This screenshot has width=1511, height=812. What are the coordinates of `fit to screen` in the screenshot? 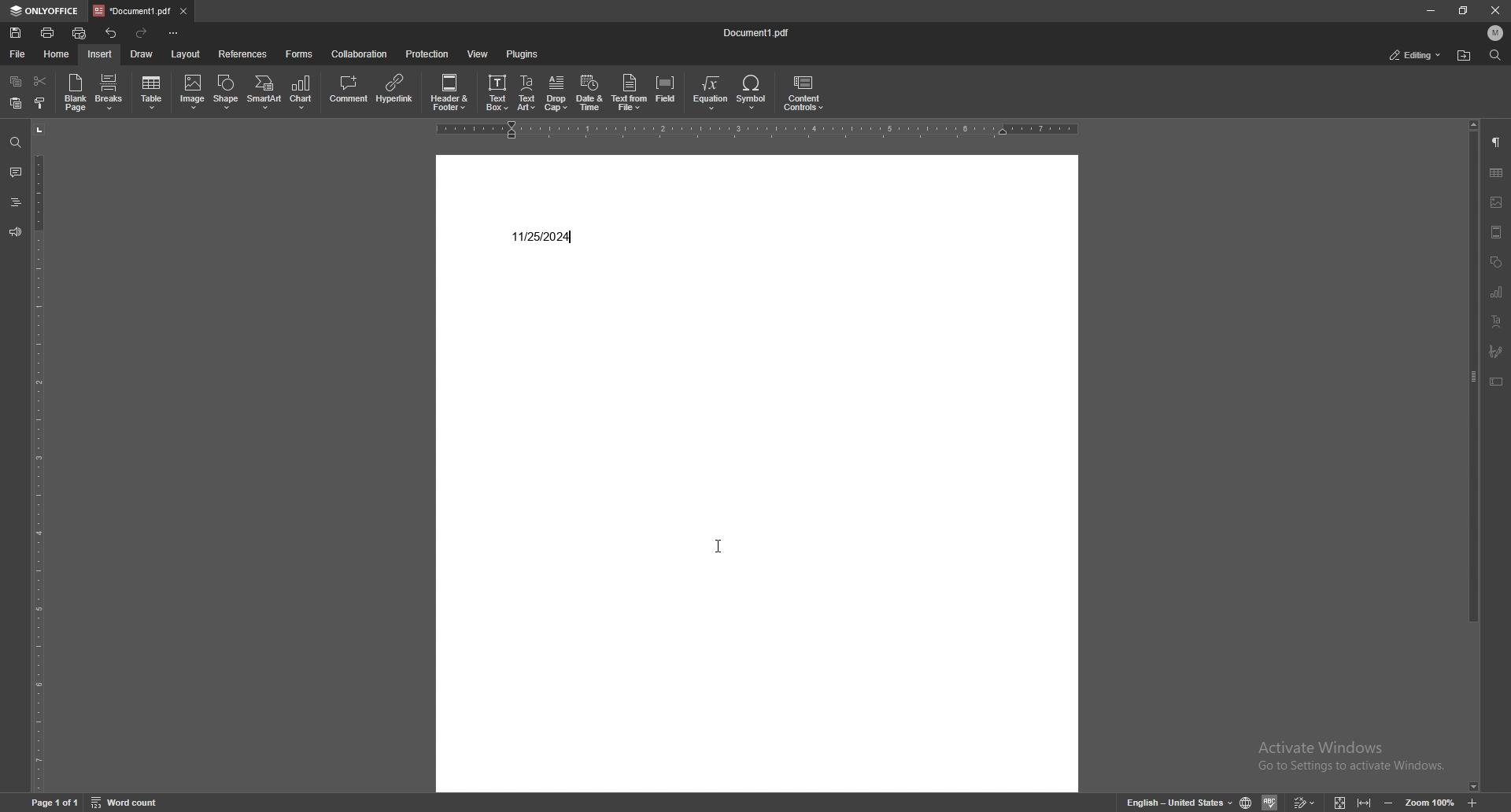 It's located at (1341, 801).